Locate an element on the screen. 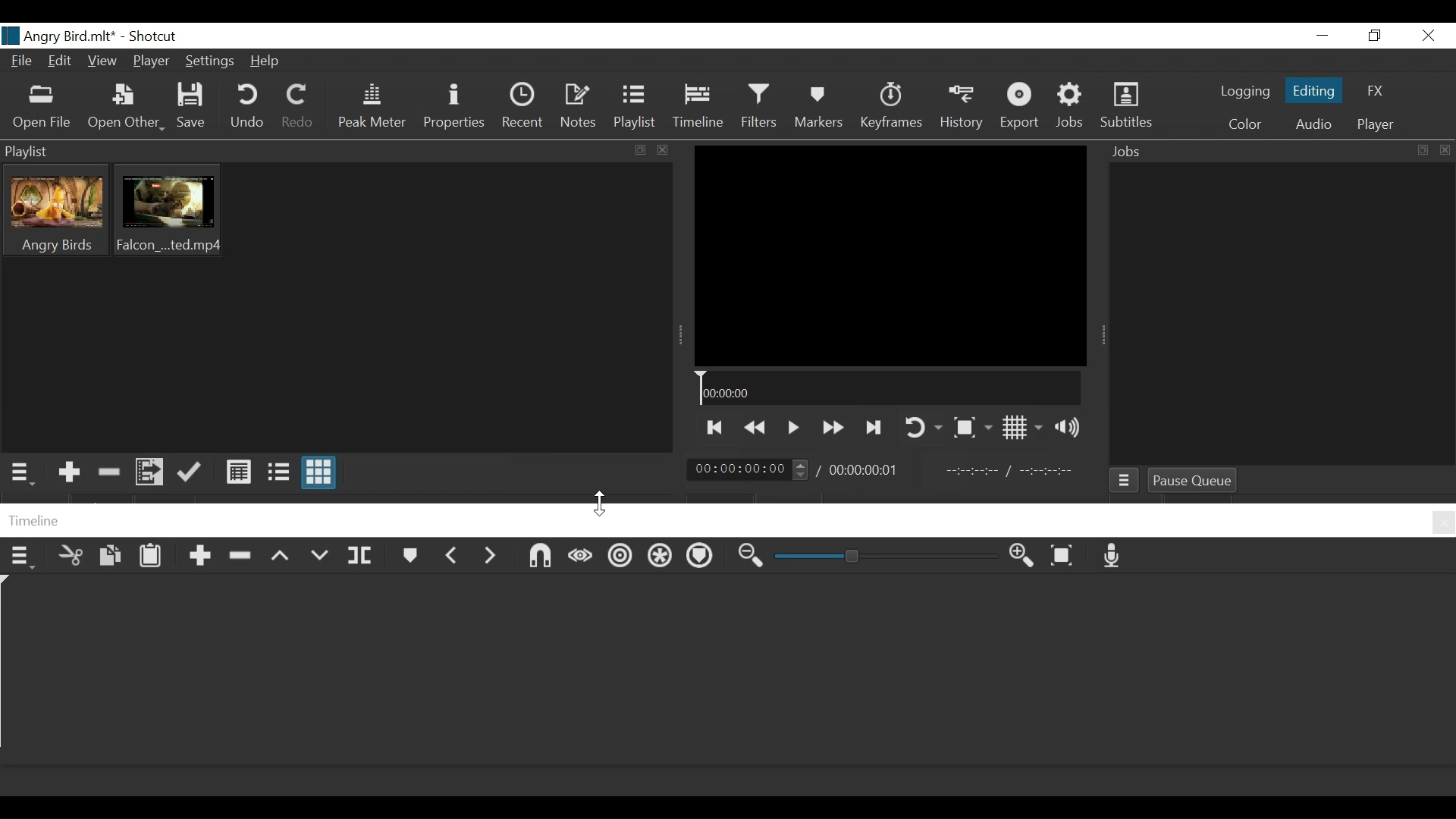 The width and height of the screenshot is (1456, 819). File name is located at coordinates (58, 36).